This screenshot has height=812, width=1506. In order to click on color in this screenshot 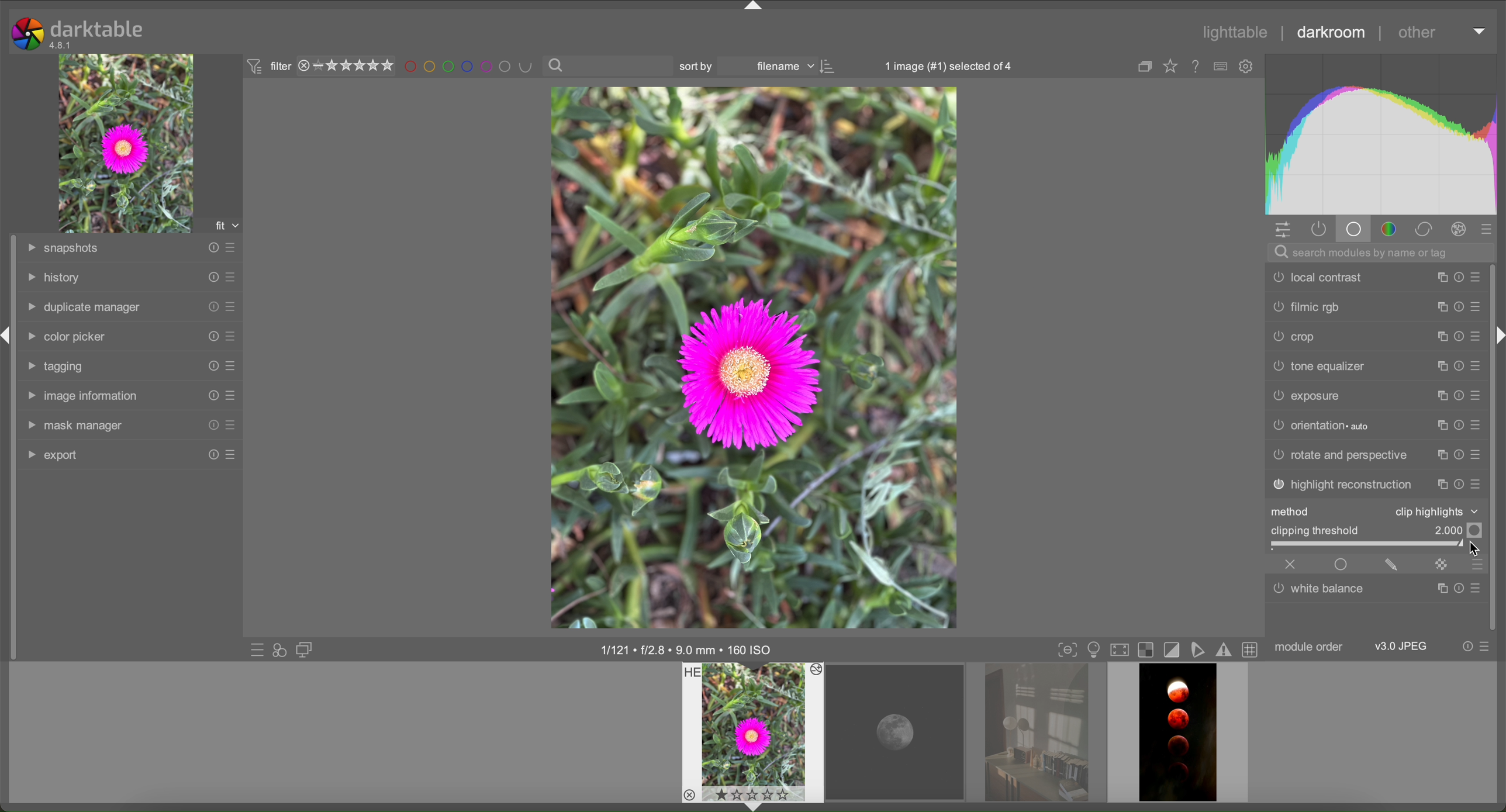, I will do `click(1387, 229)`.